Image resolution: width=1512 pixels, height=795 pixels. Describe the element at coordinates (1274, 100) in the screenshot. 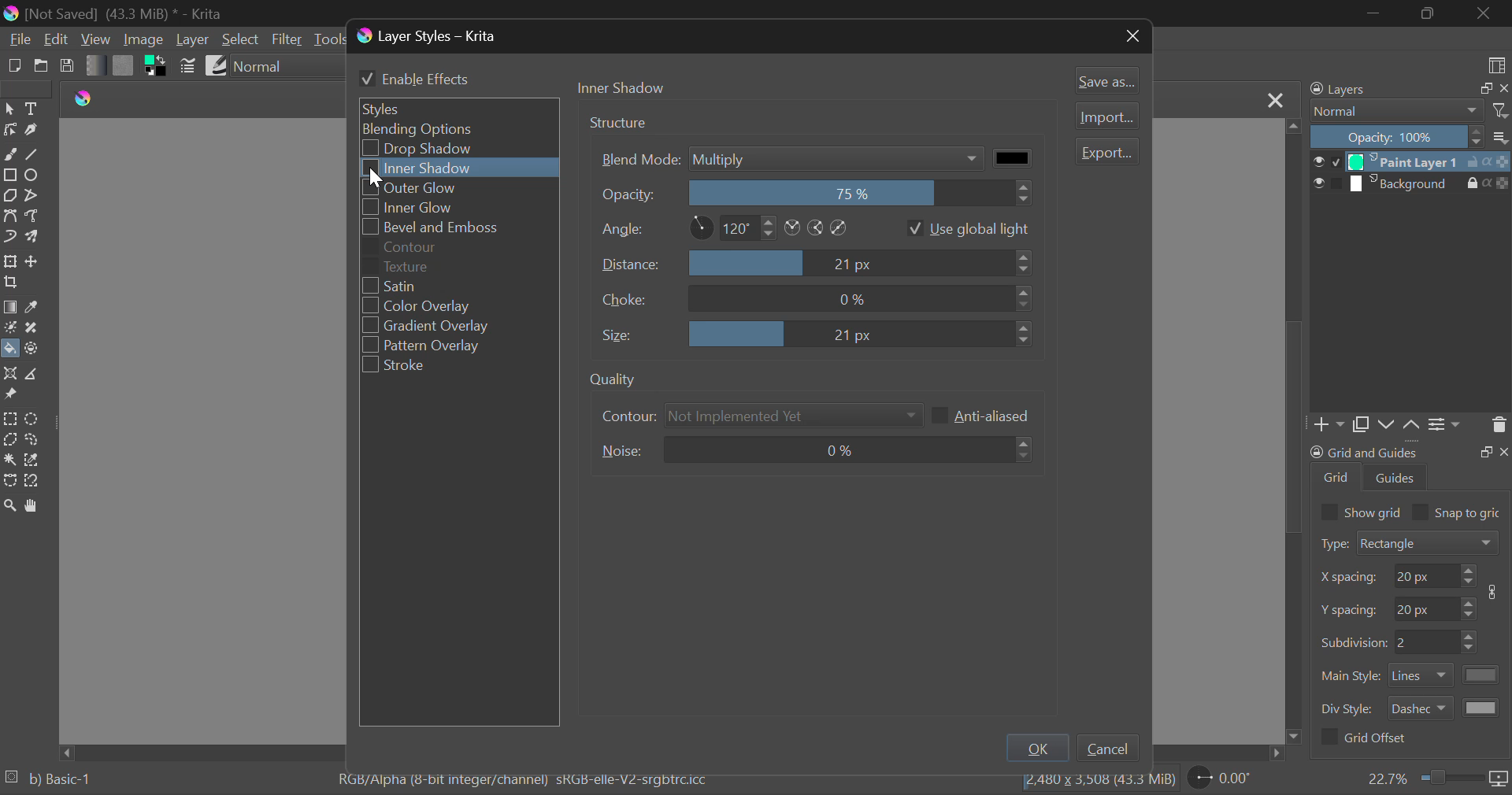

I see `Close` at that location.